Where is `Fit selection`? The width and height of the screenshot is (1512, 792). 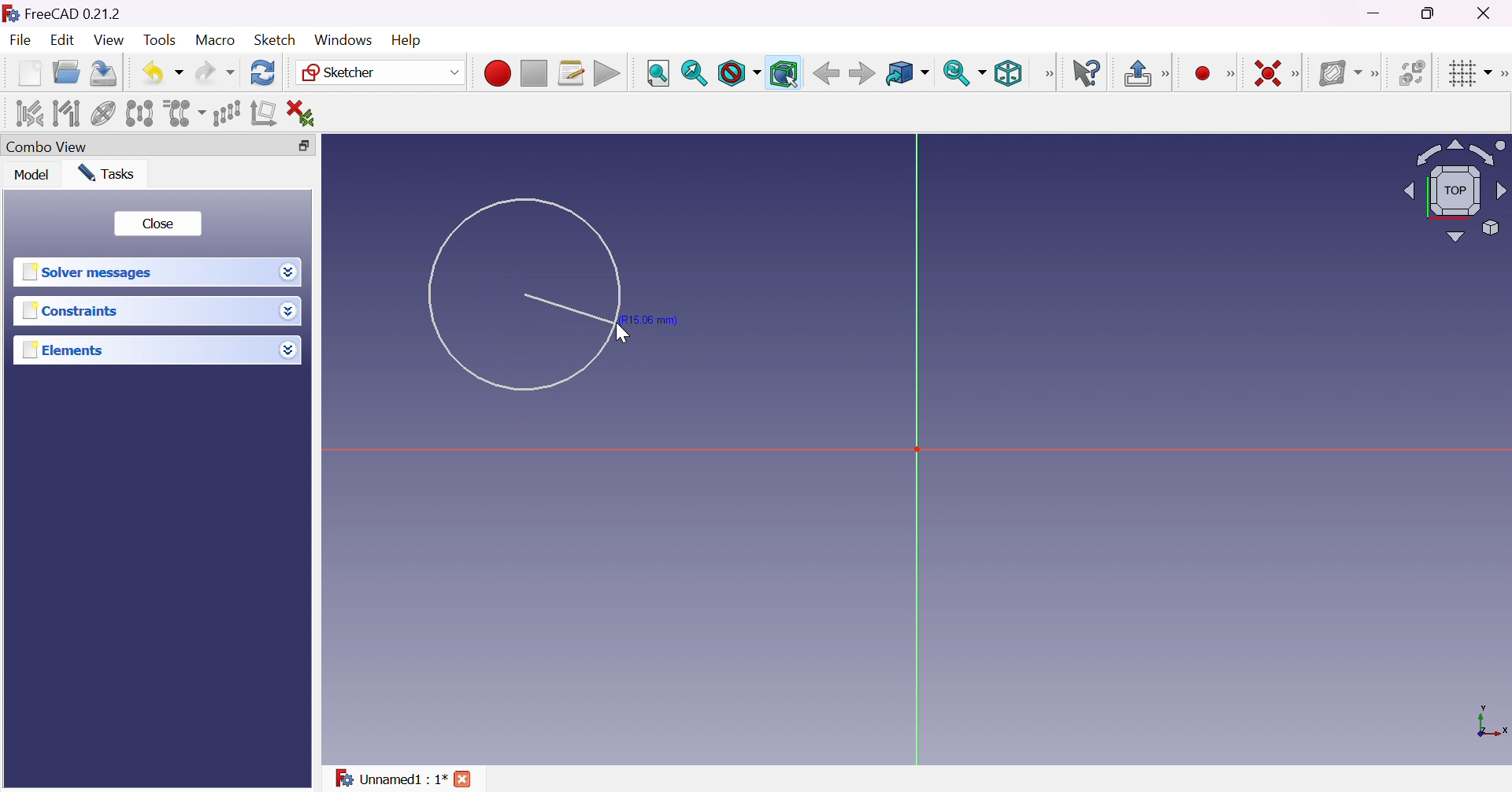 Fit selection is located at coordinates (694, 73).